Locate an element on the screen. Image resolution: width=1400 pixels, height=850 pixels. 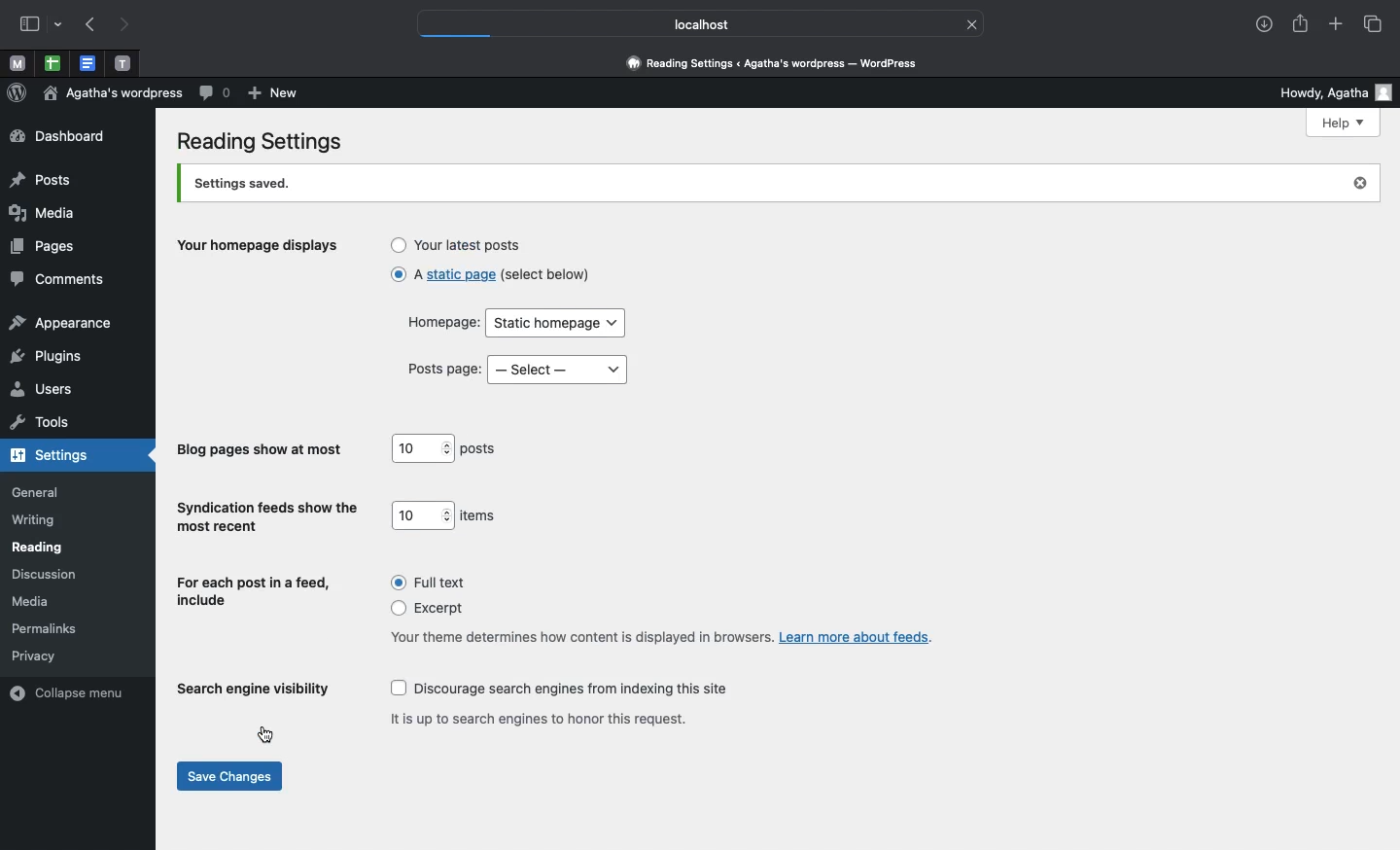
settings is located at coordinates (55, 456).